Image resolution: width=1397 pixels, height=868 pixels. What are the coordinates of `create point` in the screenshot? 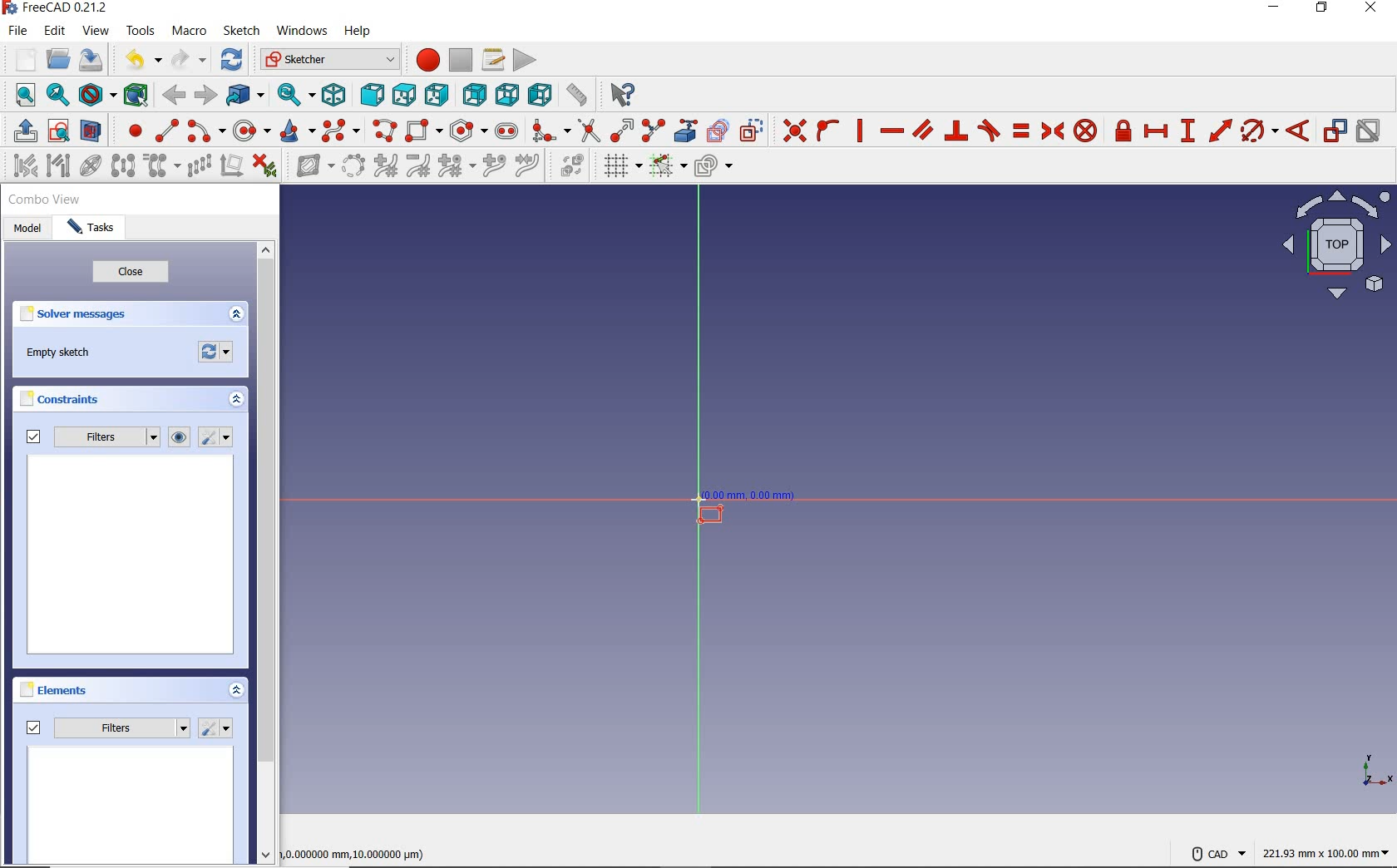 It's located at (129, 131).